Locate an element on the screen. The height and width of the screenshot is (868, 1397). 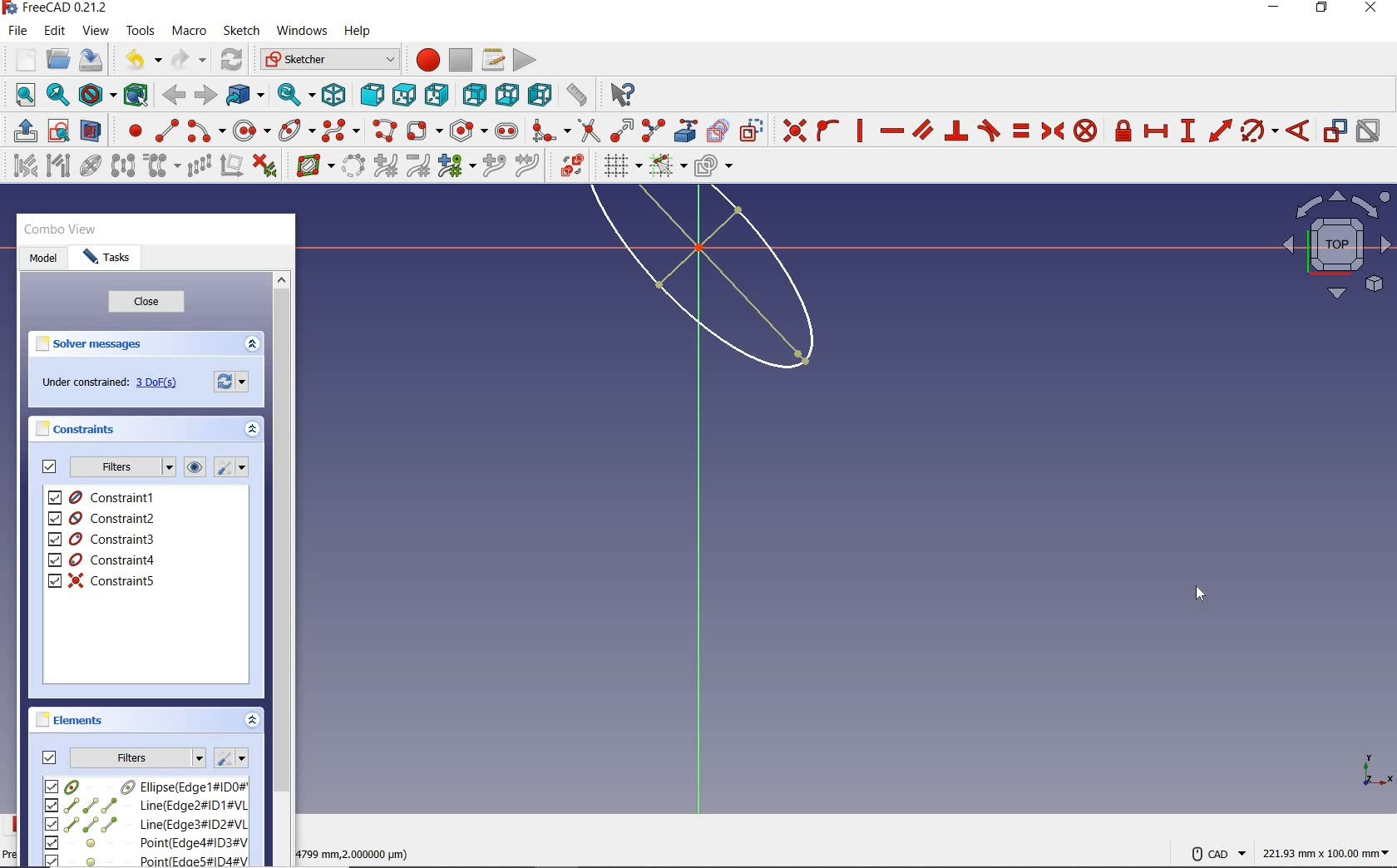
isometric is located at coordinates (333, 94).